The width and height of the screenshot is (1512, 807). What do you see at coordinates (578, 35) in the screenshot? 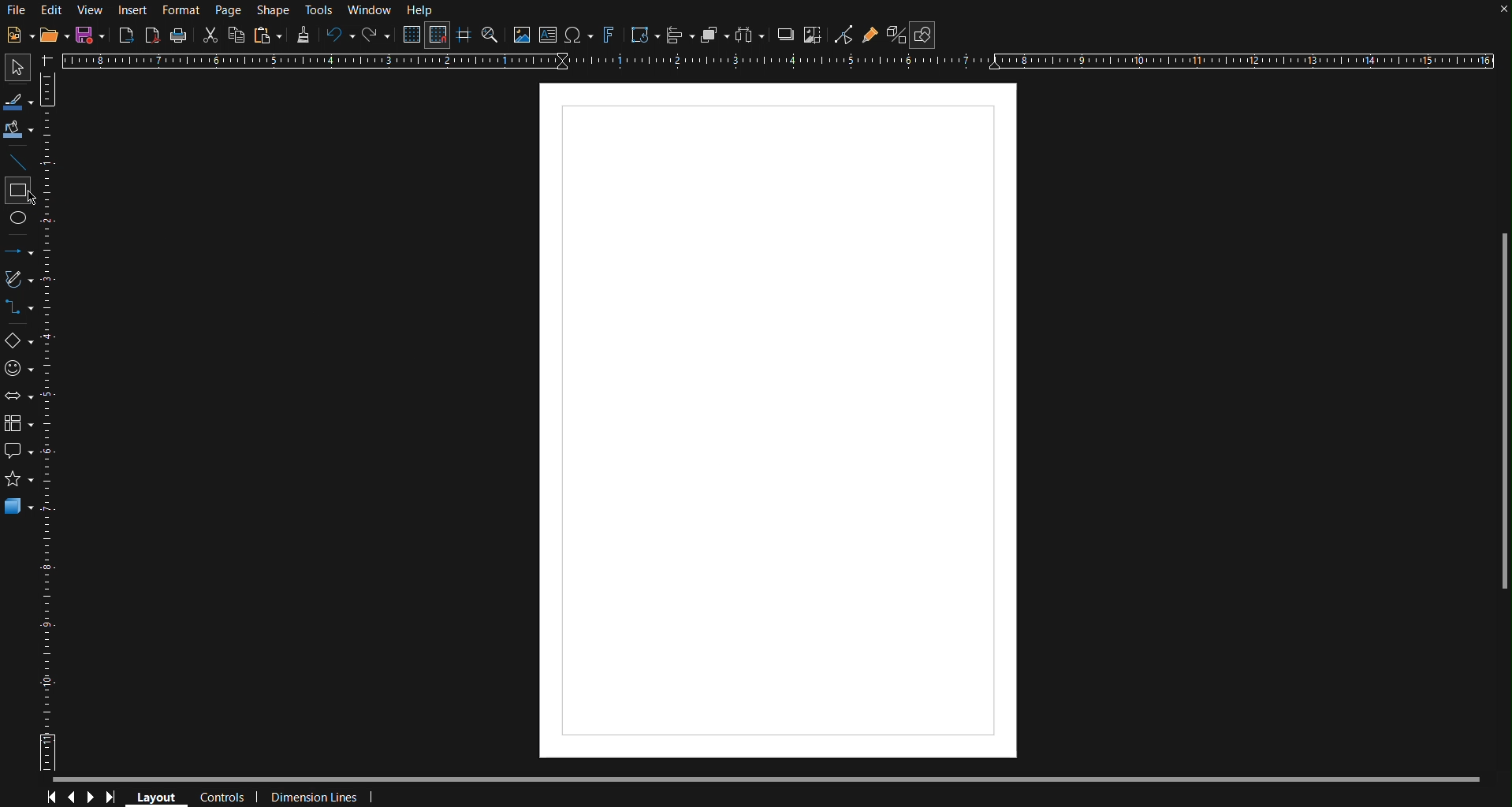
I see `Insert Special Character` at bounding box center [578, 35].